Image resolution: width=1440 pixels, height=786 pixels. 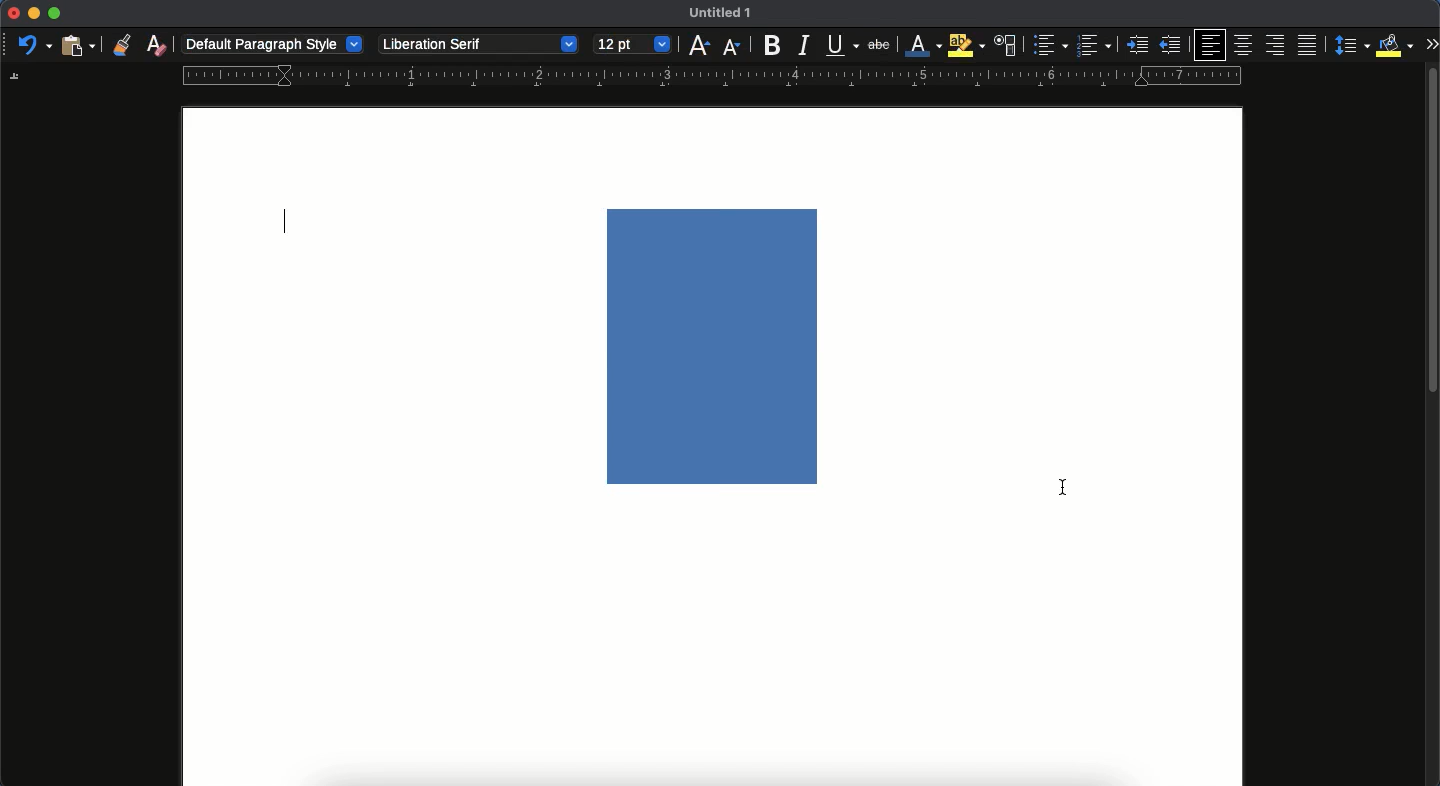 I want to click on fill color, so click(x=1390, y=46).